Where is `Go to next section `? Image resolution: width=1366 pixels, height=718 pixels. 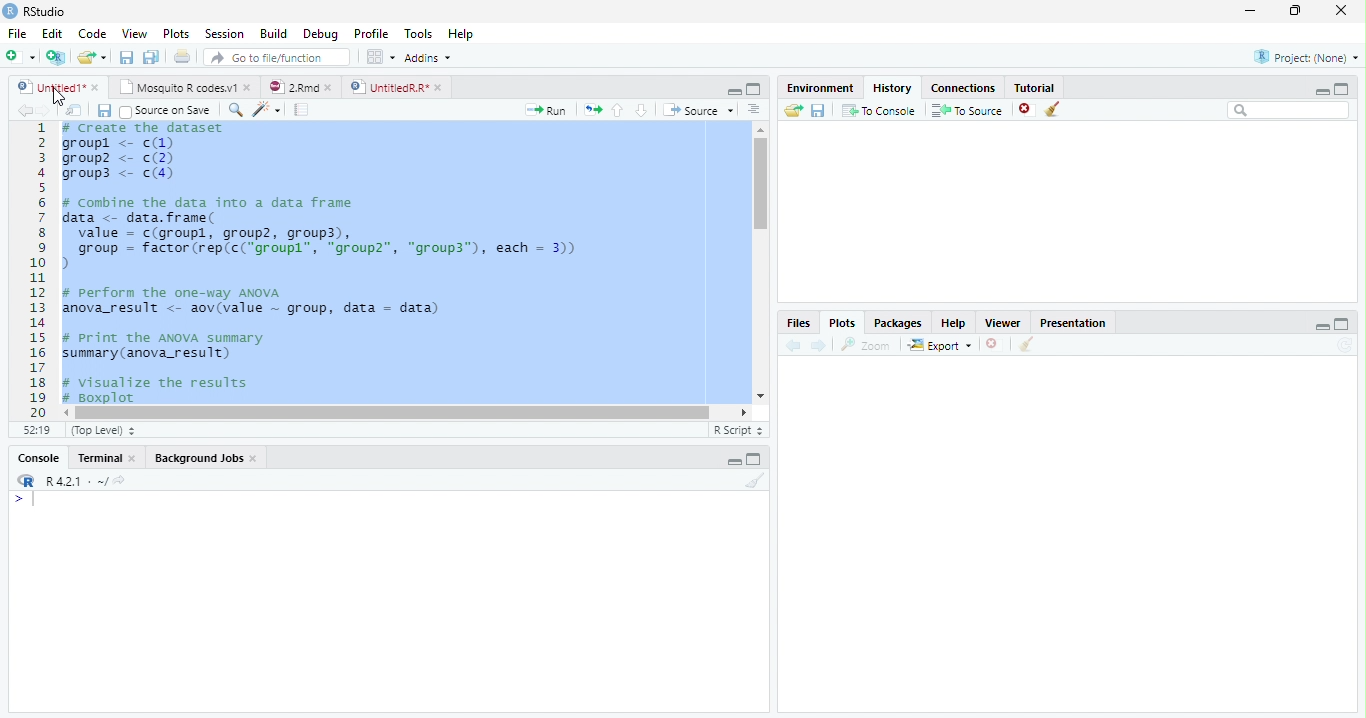
Go to next section  is located at coordinates (642, 110).